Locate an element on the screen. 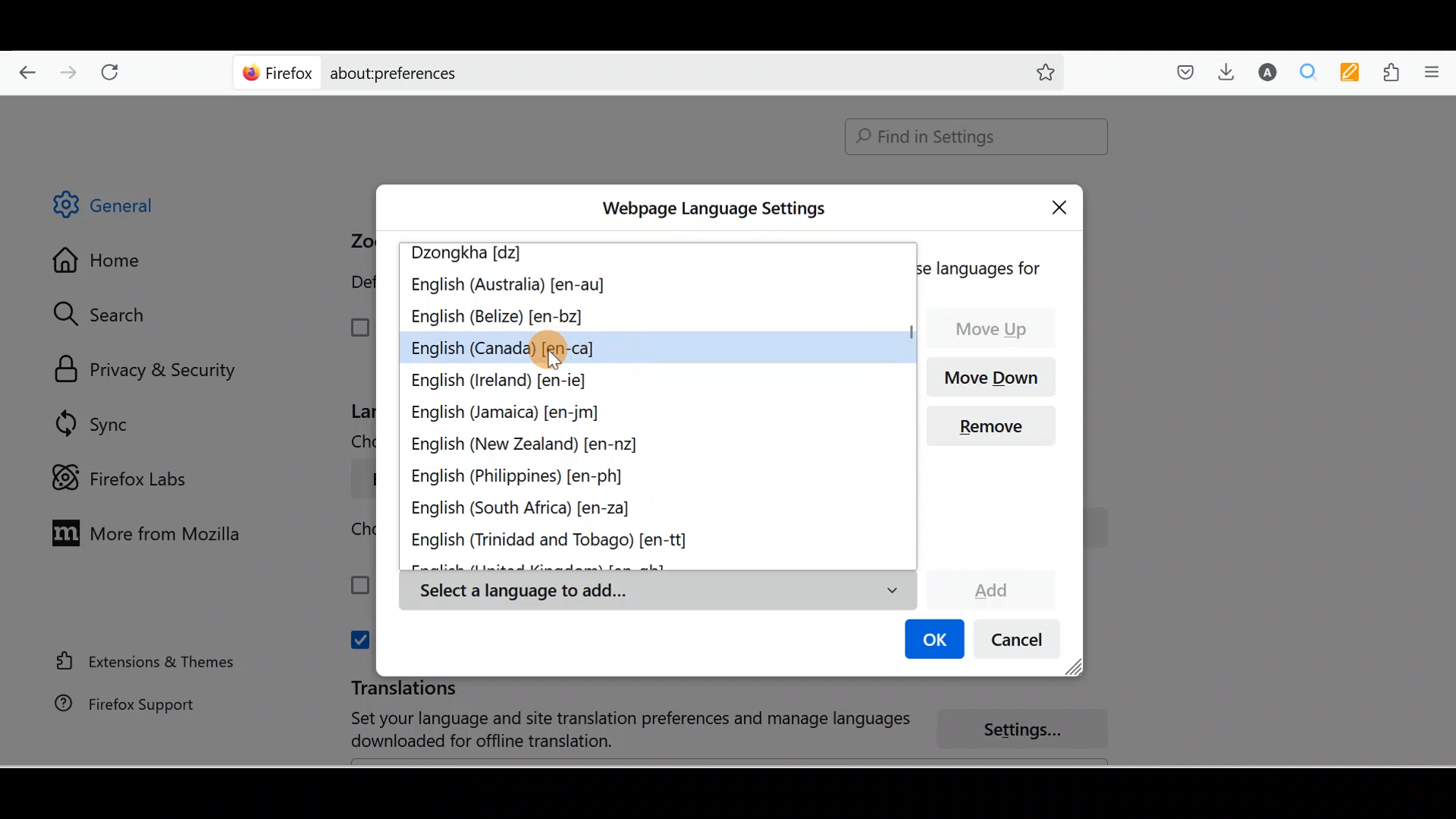 Image resolution: width=1456 pixels, height=819 pixels. English (Trinidad and Tobago) [en-tt] is located at coordinates (560, 541).